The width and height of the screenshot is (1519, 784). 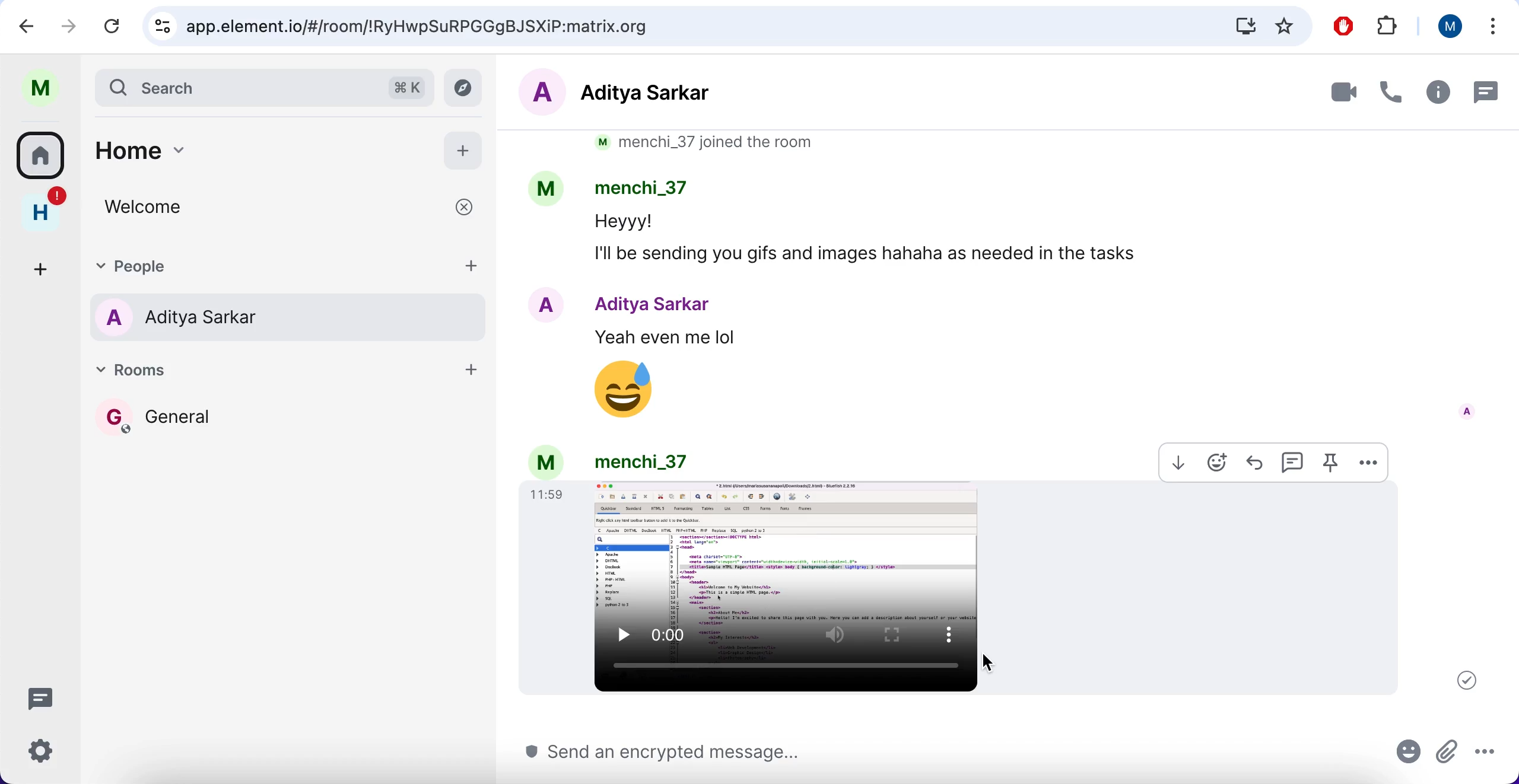 What do you see at coordinates (1369, 462) in the screenshot?
I see `options` at bounding box center [1369, 462].